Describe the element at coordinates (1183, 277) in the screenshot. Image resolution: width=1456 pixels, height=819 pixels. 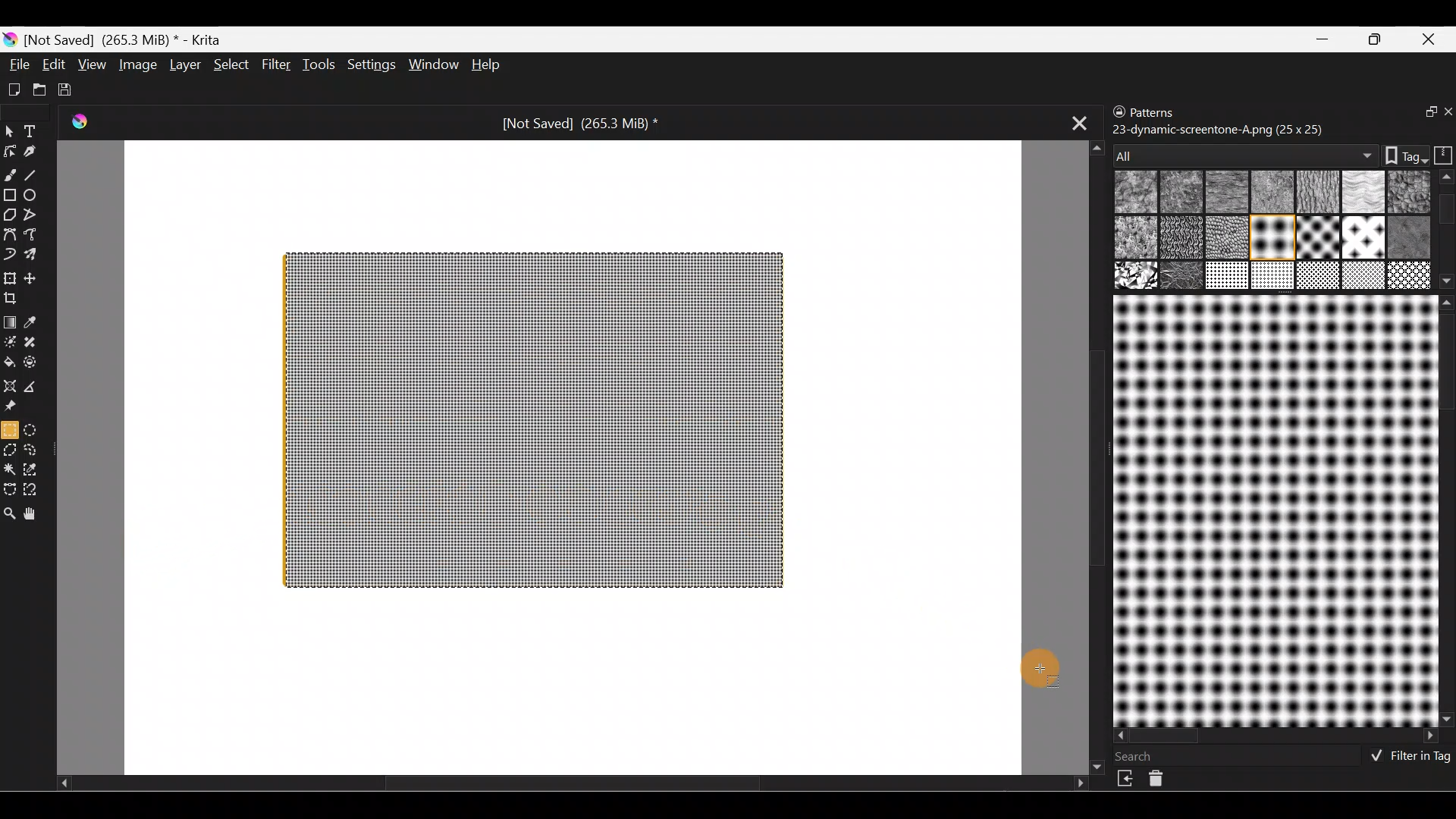
I see `15 texture_rockb.png` at that location.